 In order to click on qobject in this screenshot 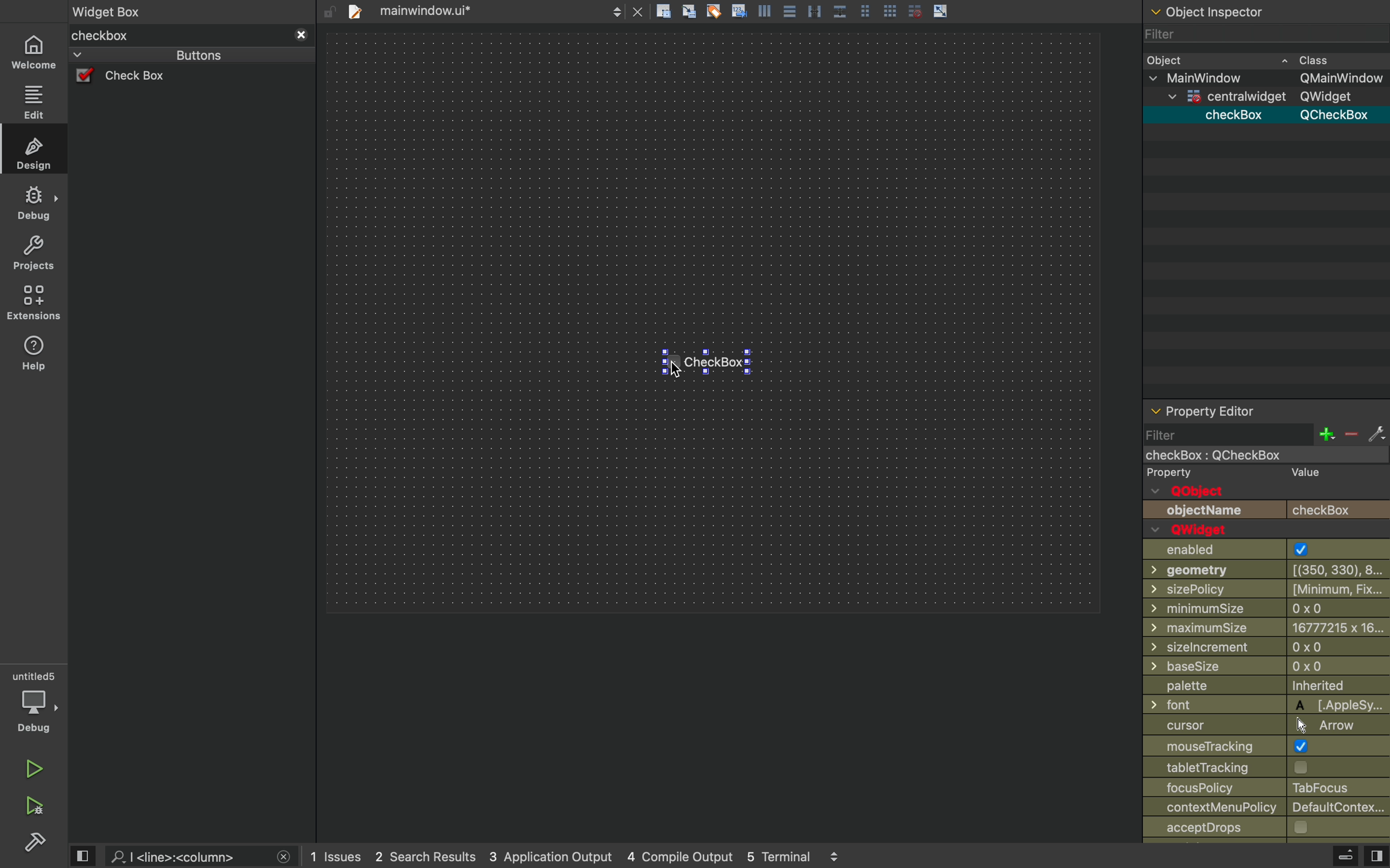, I will do `click(1203, 491)`.